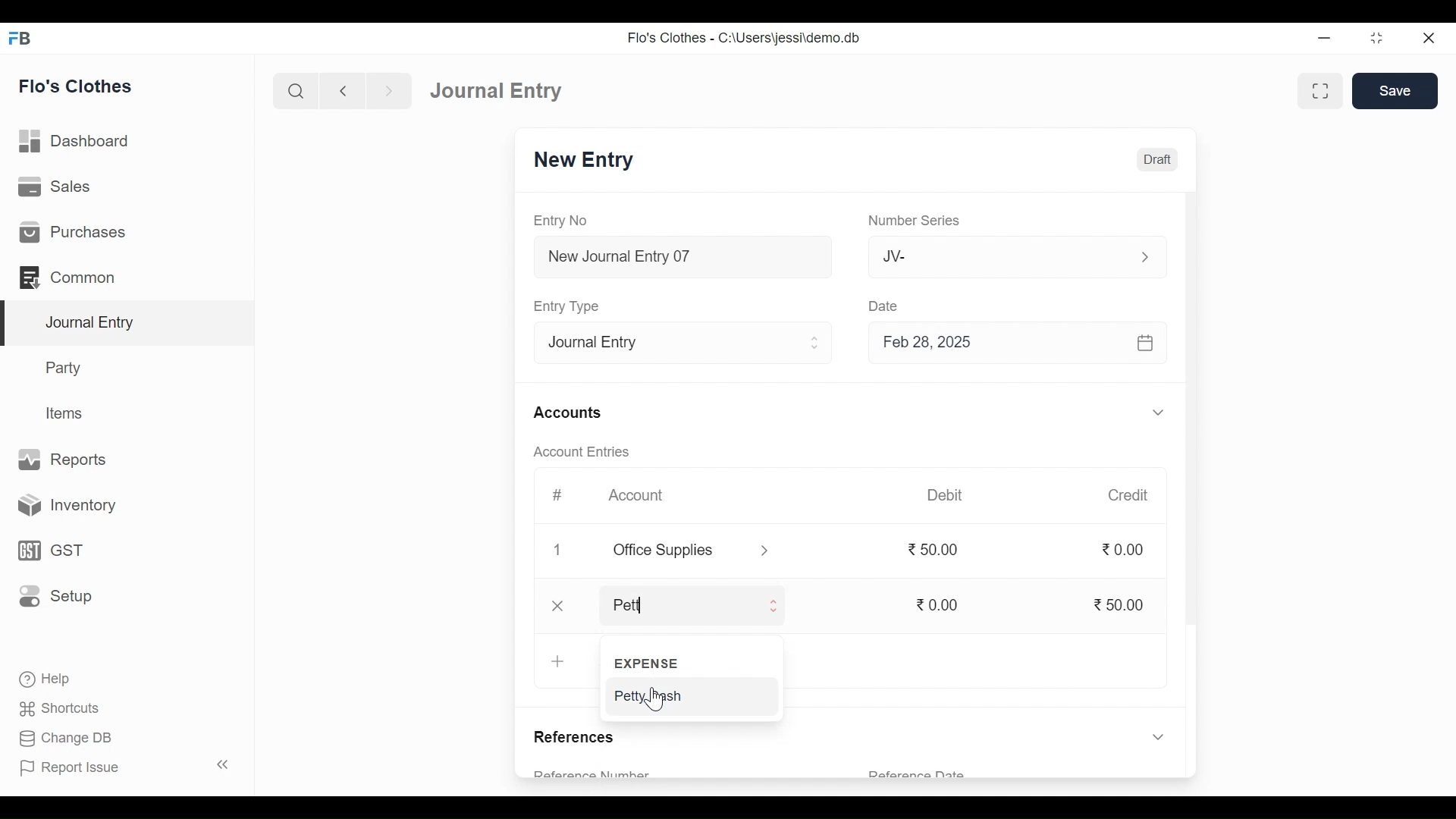 The height and width of the screenshot is (819, 1456). Describe the element at coordinates (1126, 551) in the screenshot. I see `0.00` at that location.